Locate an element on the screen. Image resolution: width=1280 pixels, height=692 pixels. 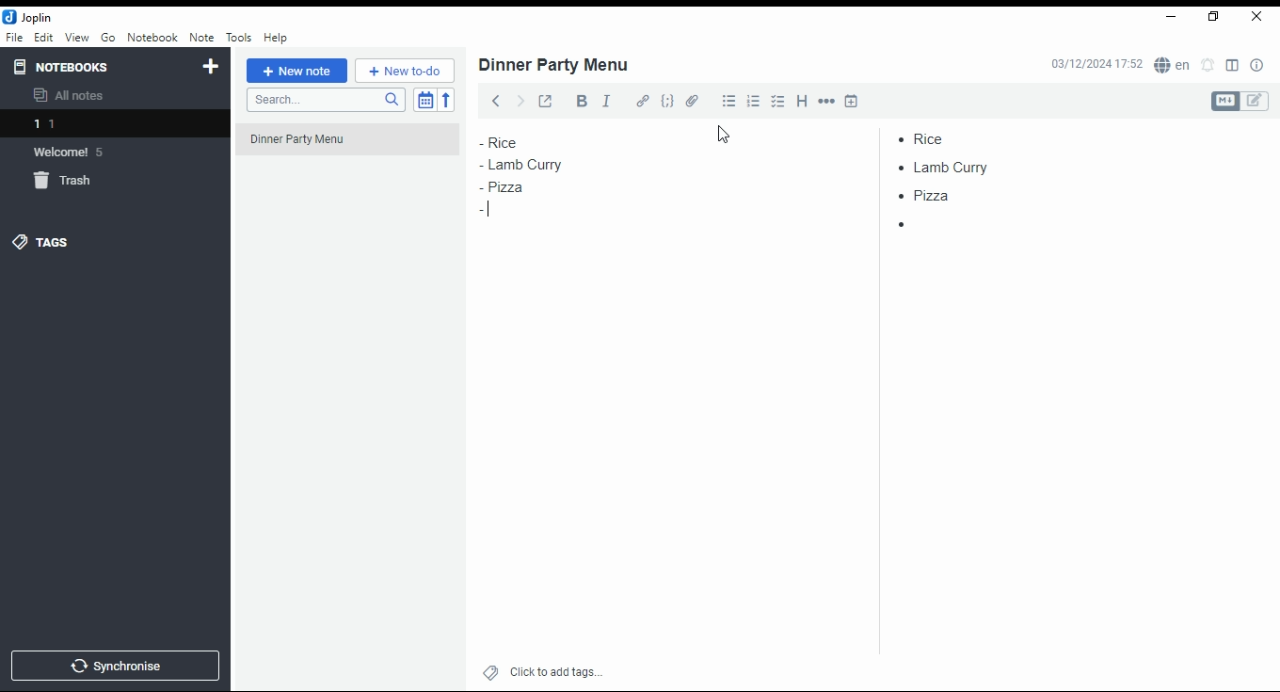
dinner party menu is located at coordinates (353, 146).